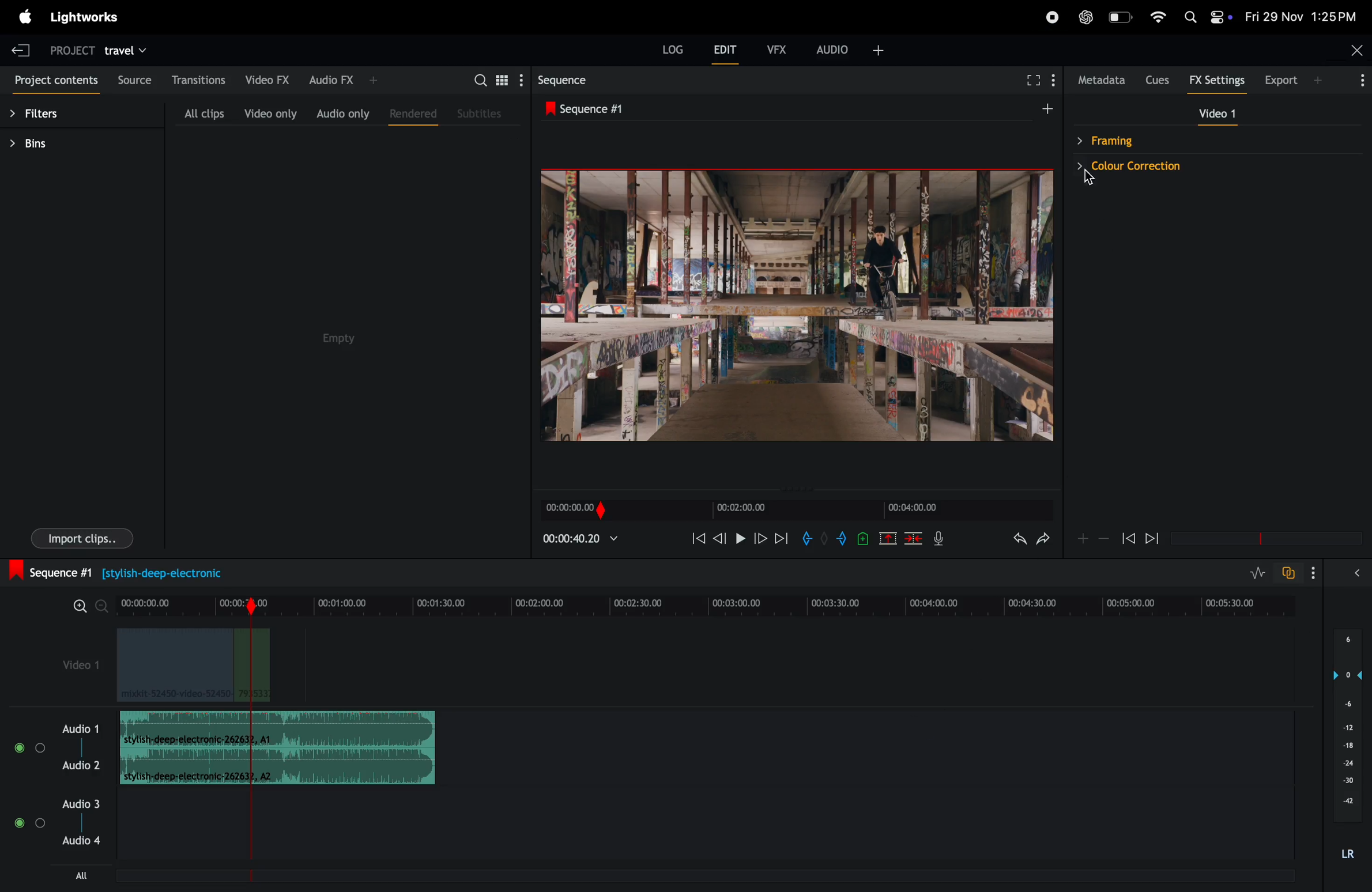  Describe the element at coordinates (81, 875) in the screenshot. I see `all` at that location.